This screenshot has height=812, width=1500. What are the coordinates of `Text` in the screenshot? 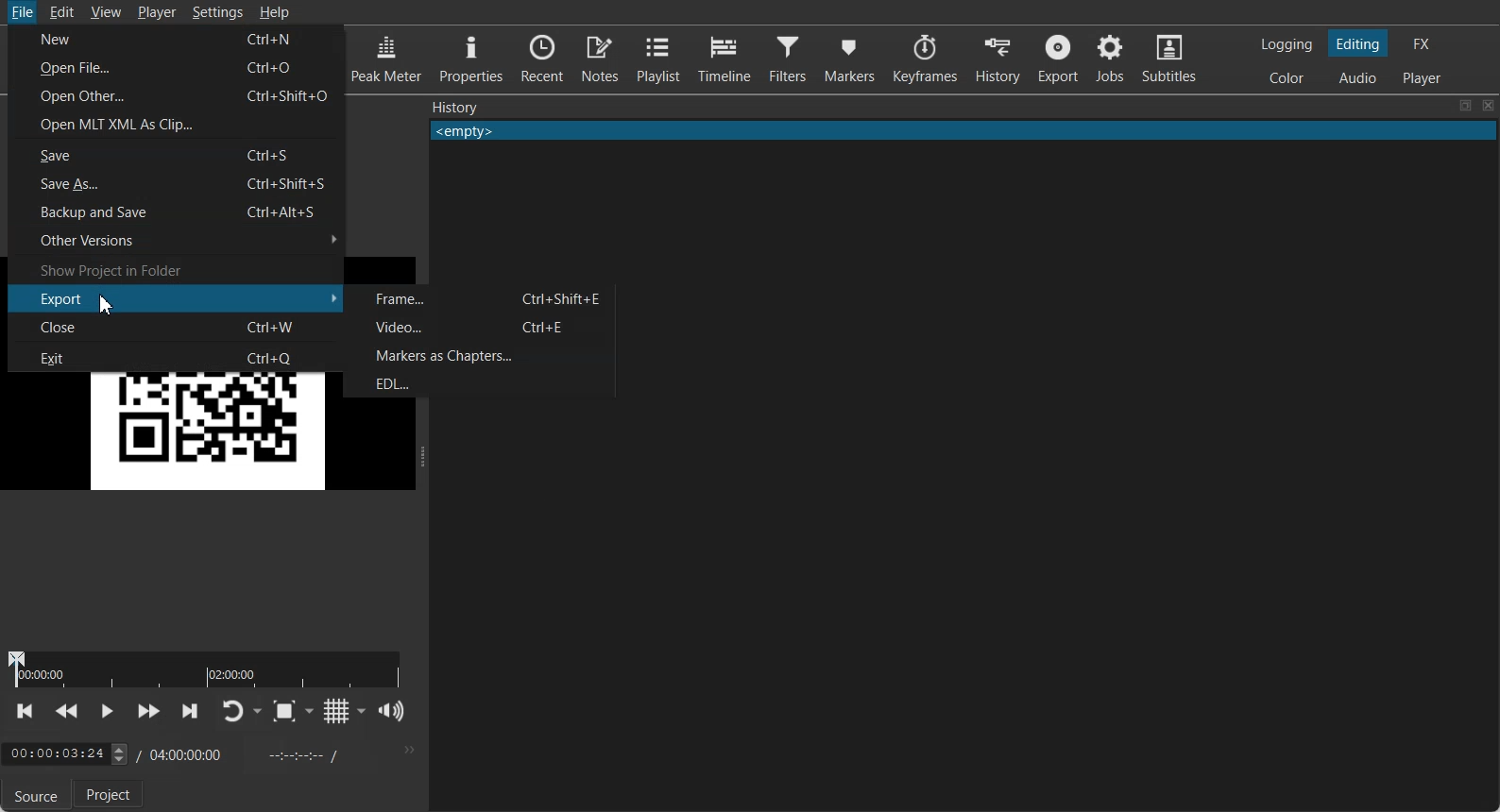 It's located at (455, 107).